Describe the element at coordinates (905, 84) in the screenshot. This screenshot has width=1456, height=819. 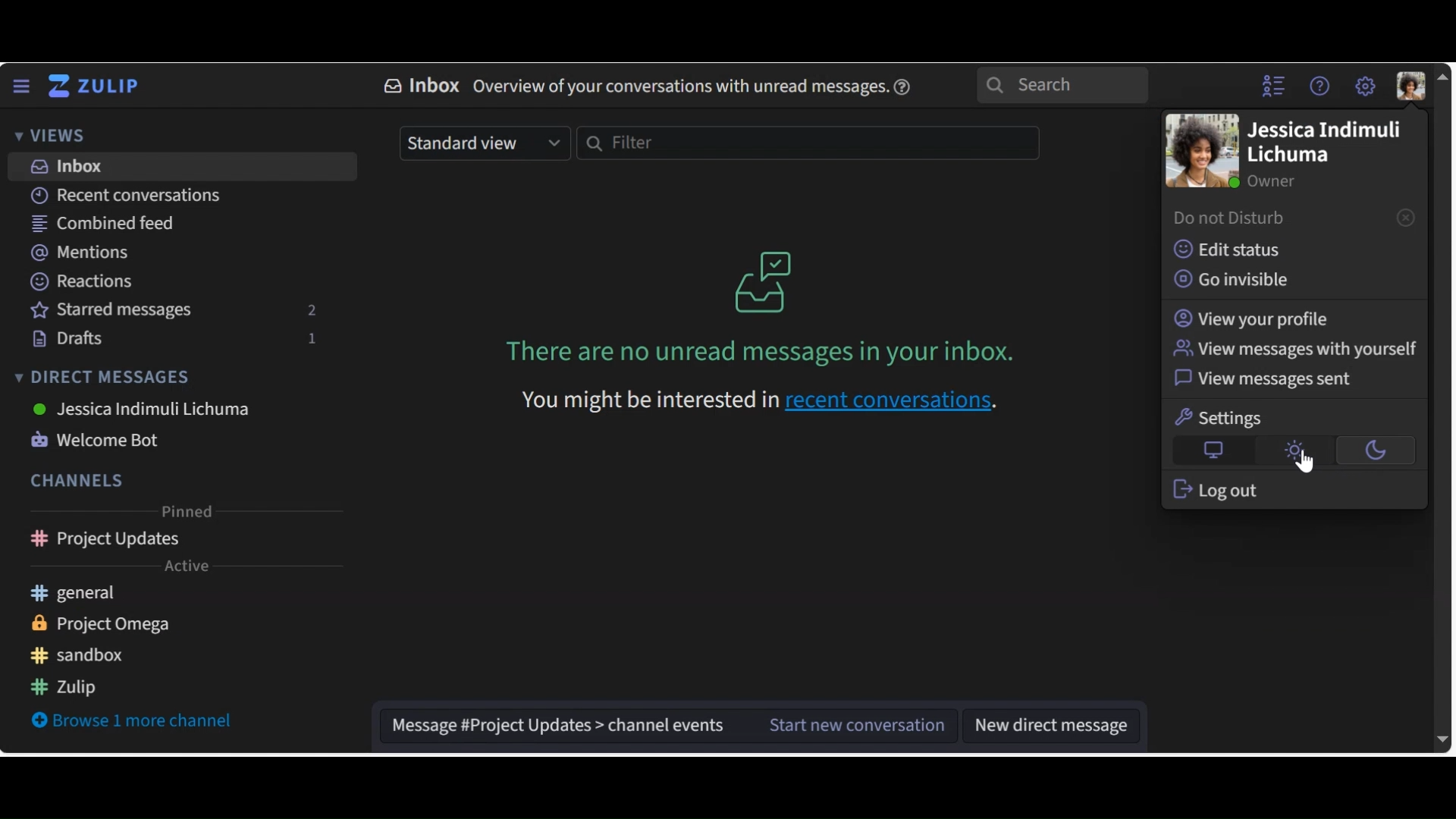
I see `Help` at that location.